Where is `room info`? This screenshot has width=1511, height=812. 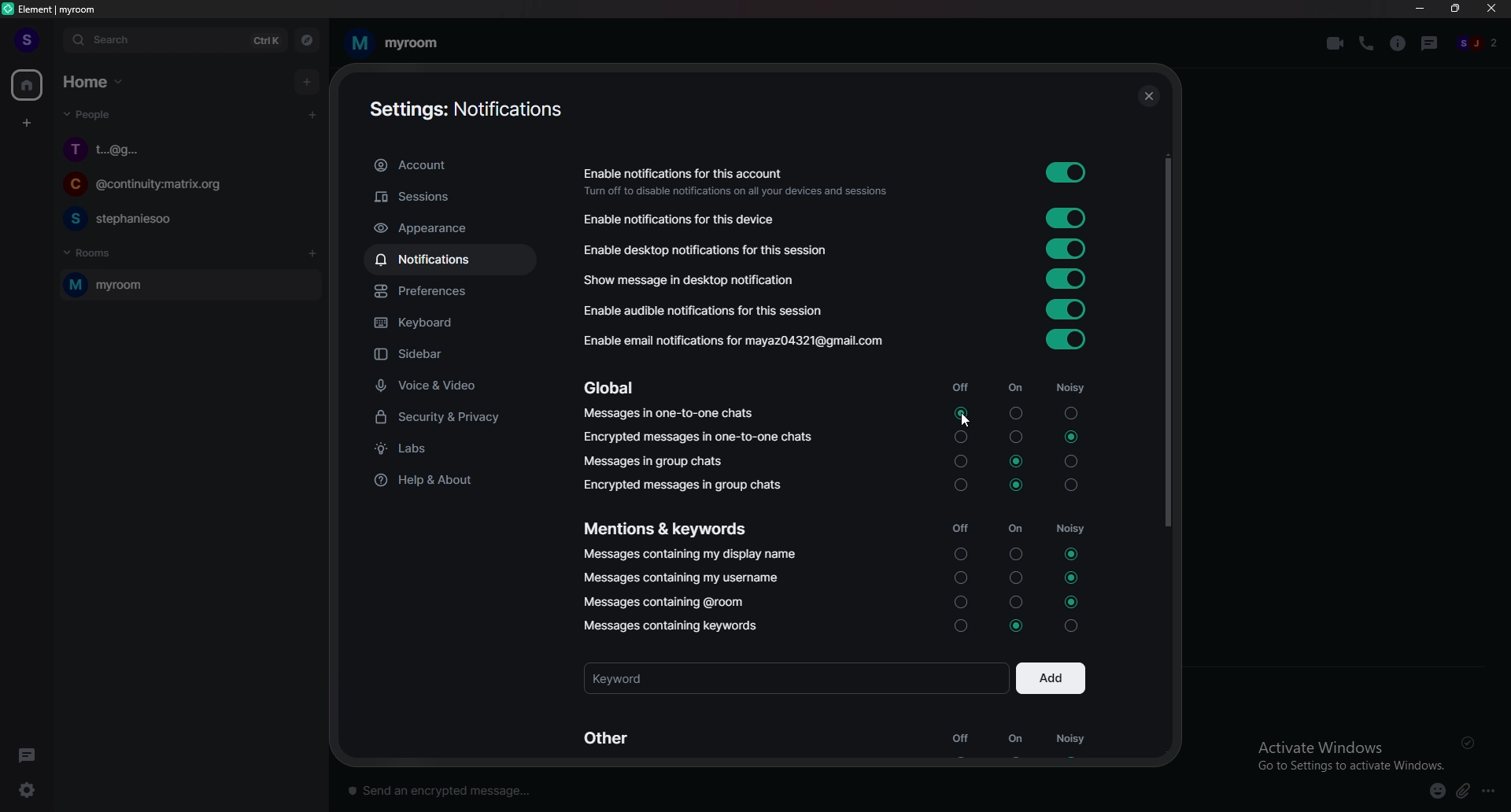 room info is located at coordinates (1398, 43).